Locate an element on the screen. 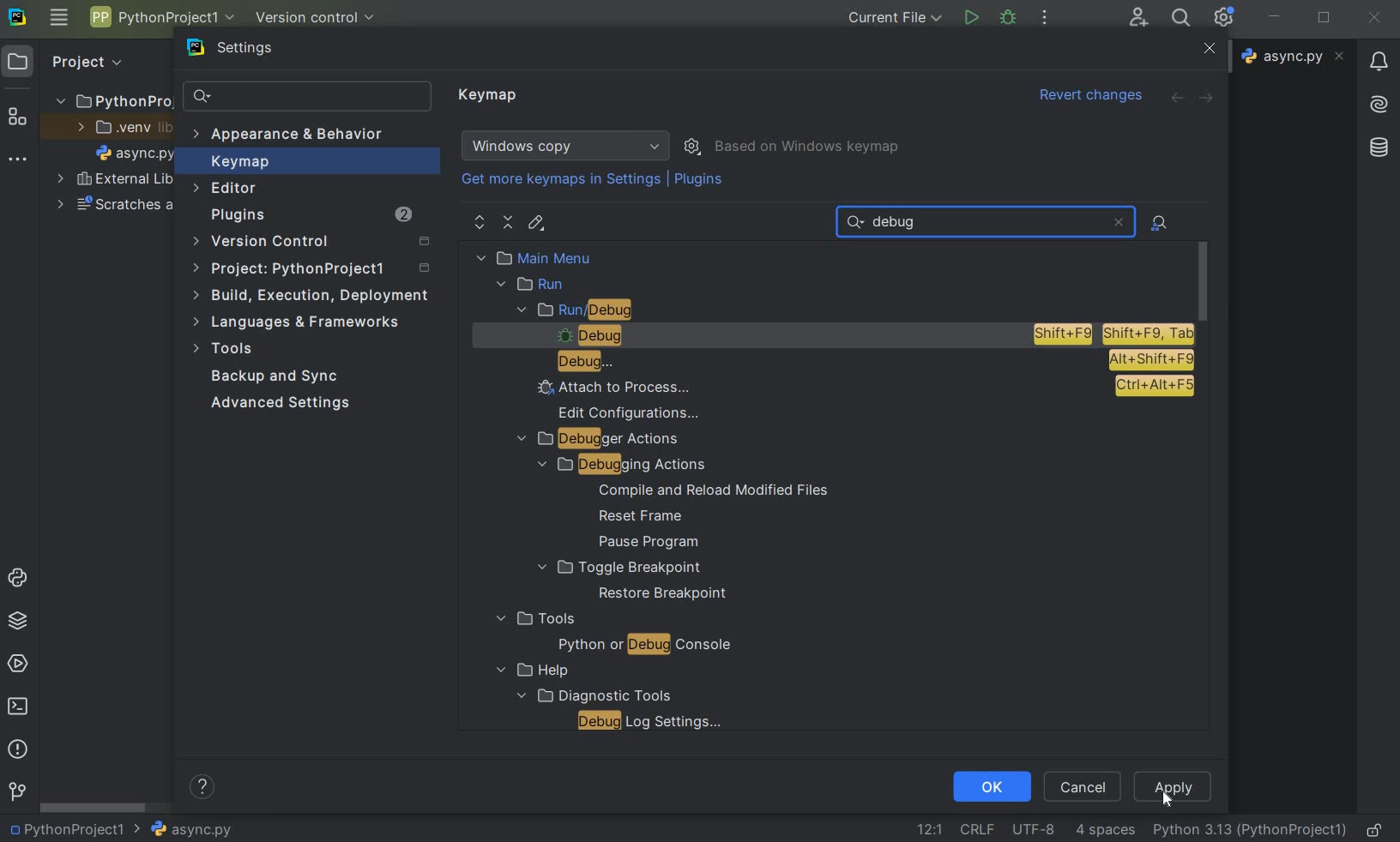 This screenshot has height=842, width=1400. apply is located at coordinates (1174, 785).